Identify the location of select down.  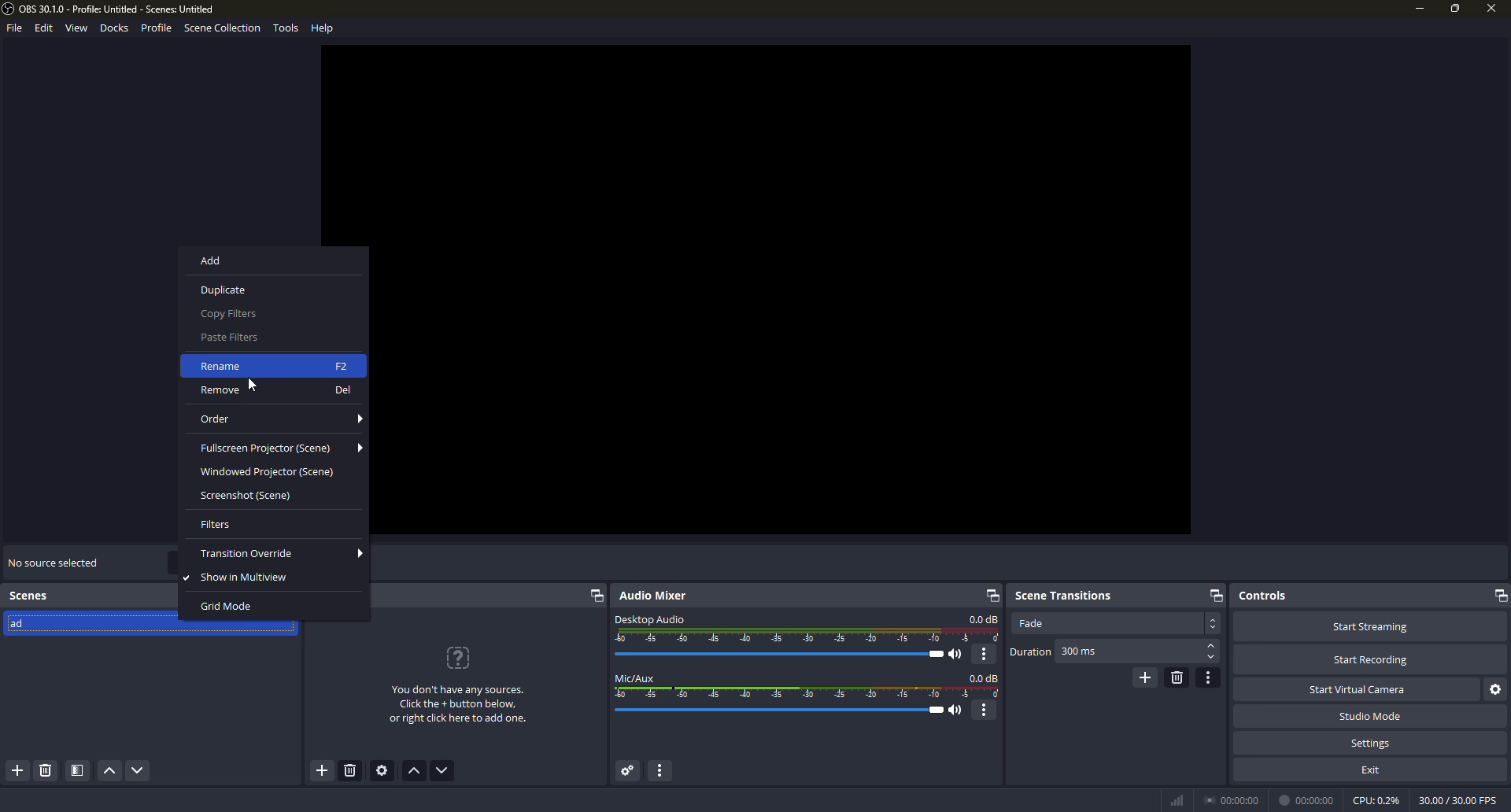
(1211, 659).